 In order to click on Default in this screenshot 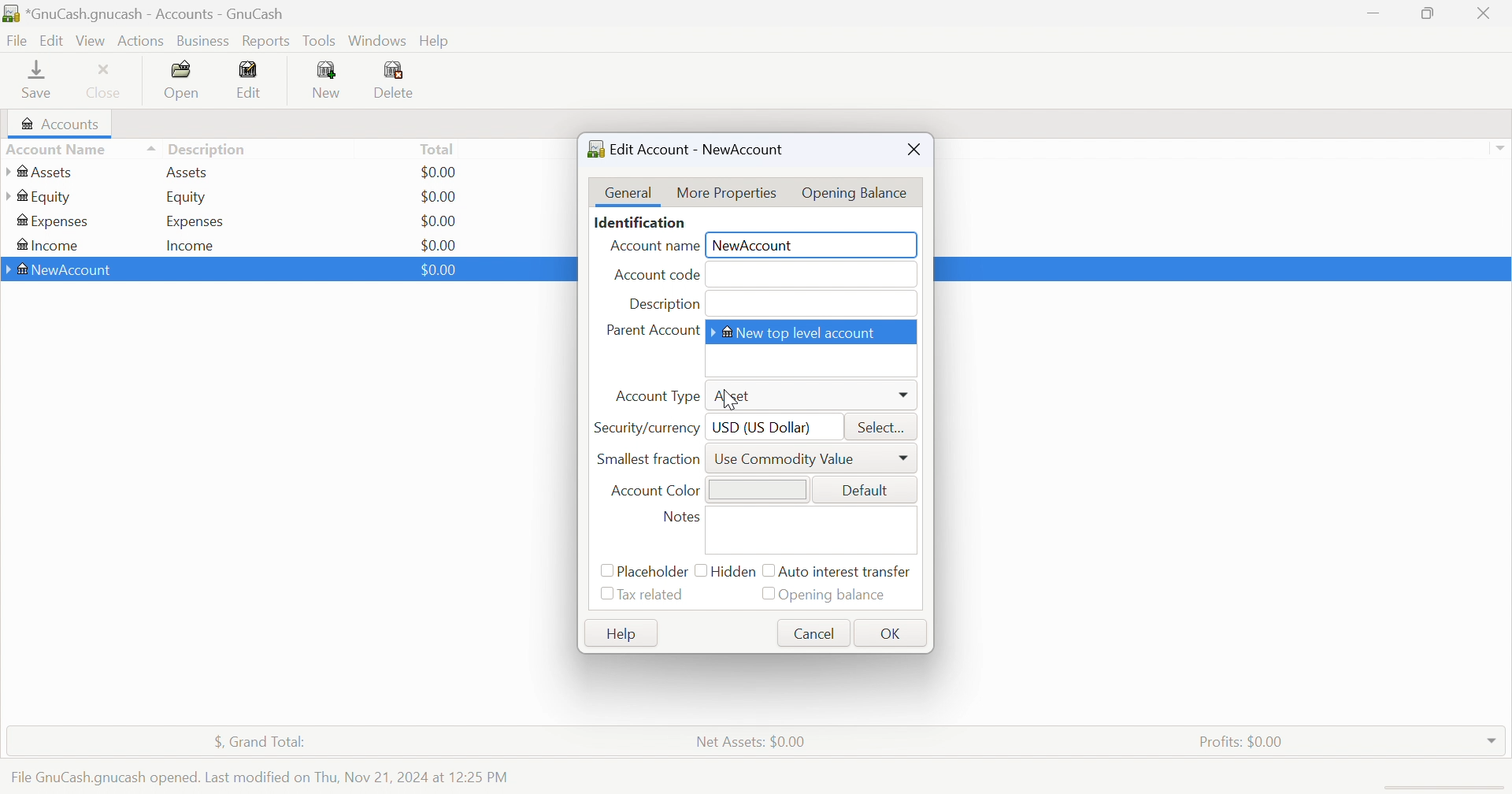, I will do `click(869, 492)`.